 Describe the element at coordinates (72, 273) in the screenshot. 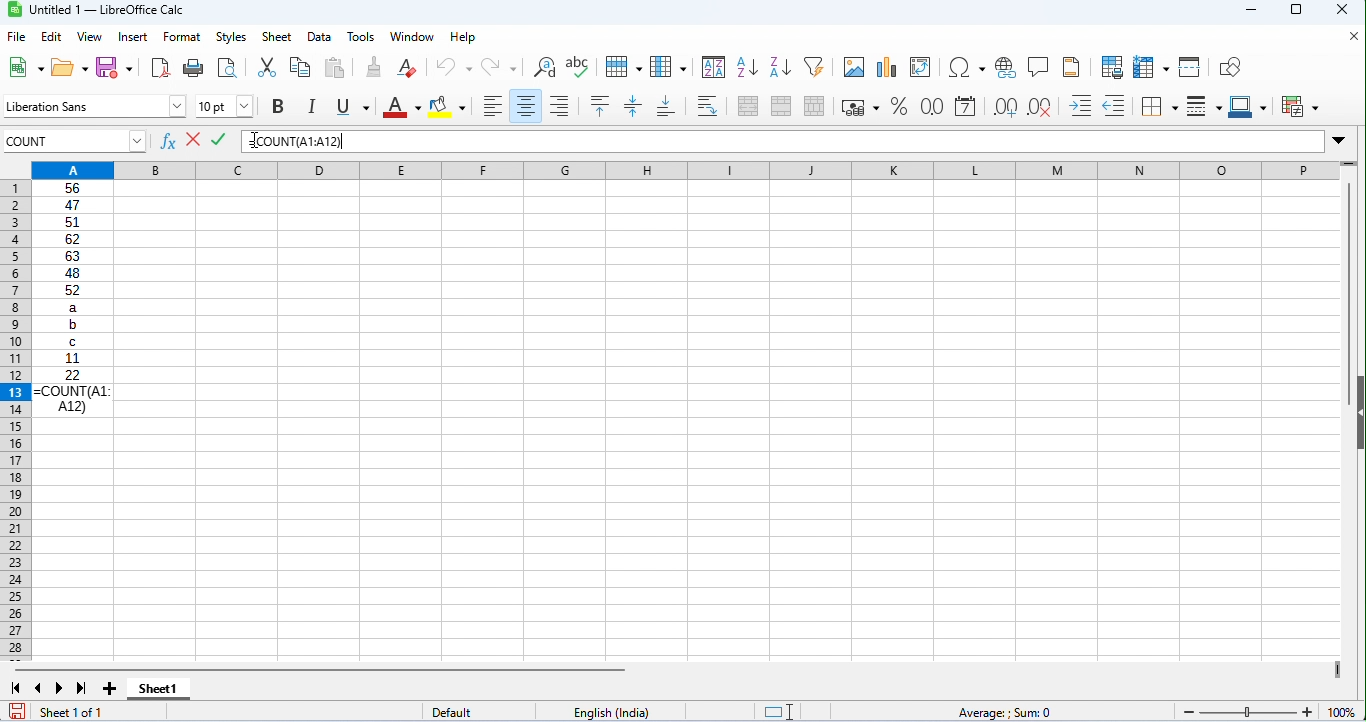

I see `48` at that location.